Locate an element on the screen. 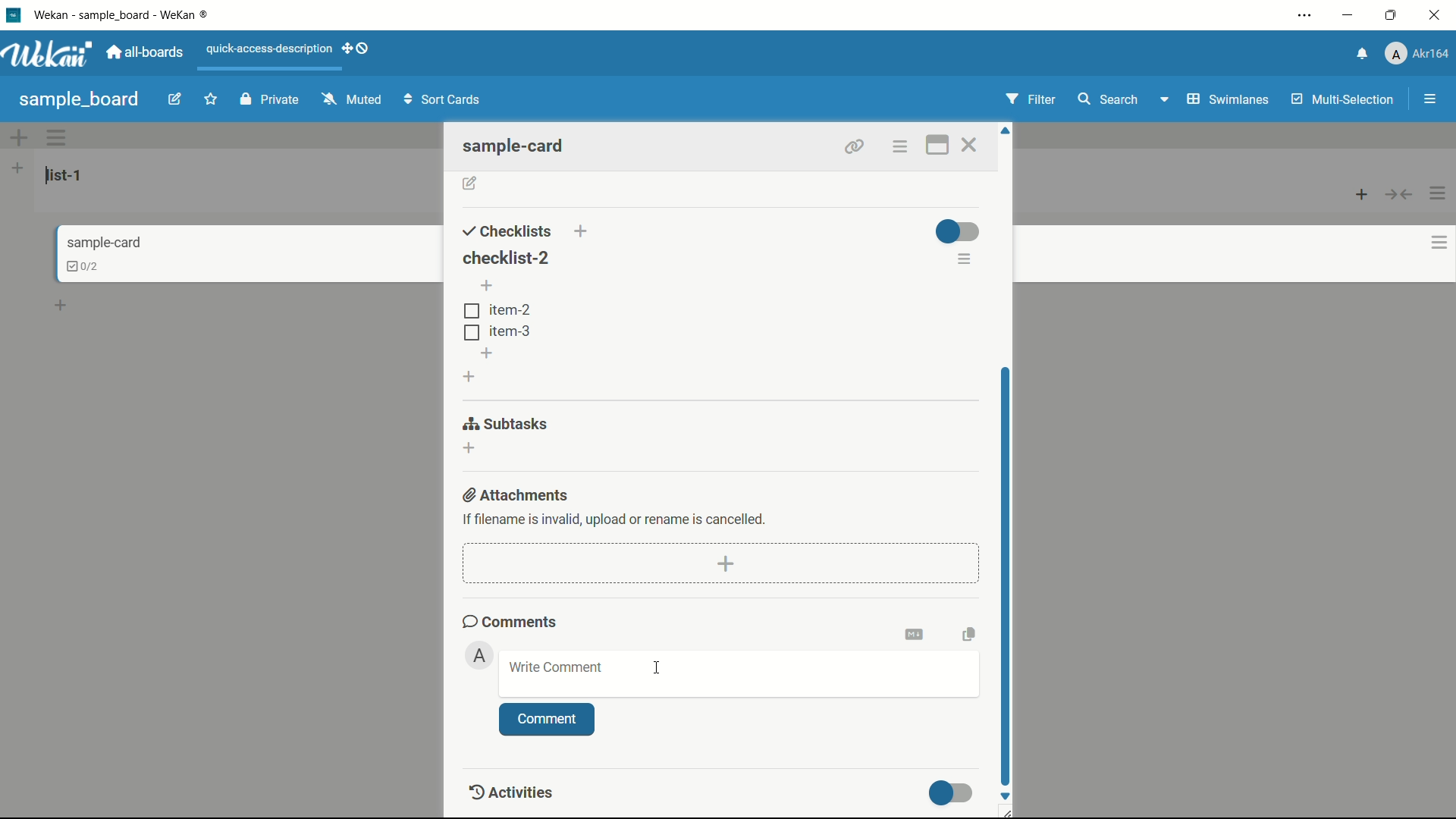  toggle button is located at coordinates (952, 792).